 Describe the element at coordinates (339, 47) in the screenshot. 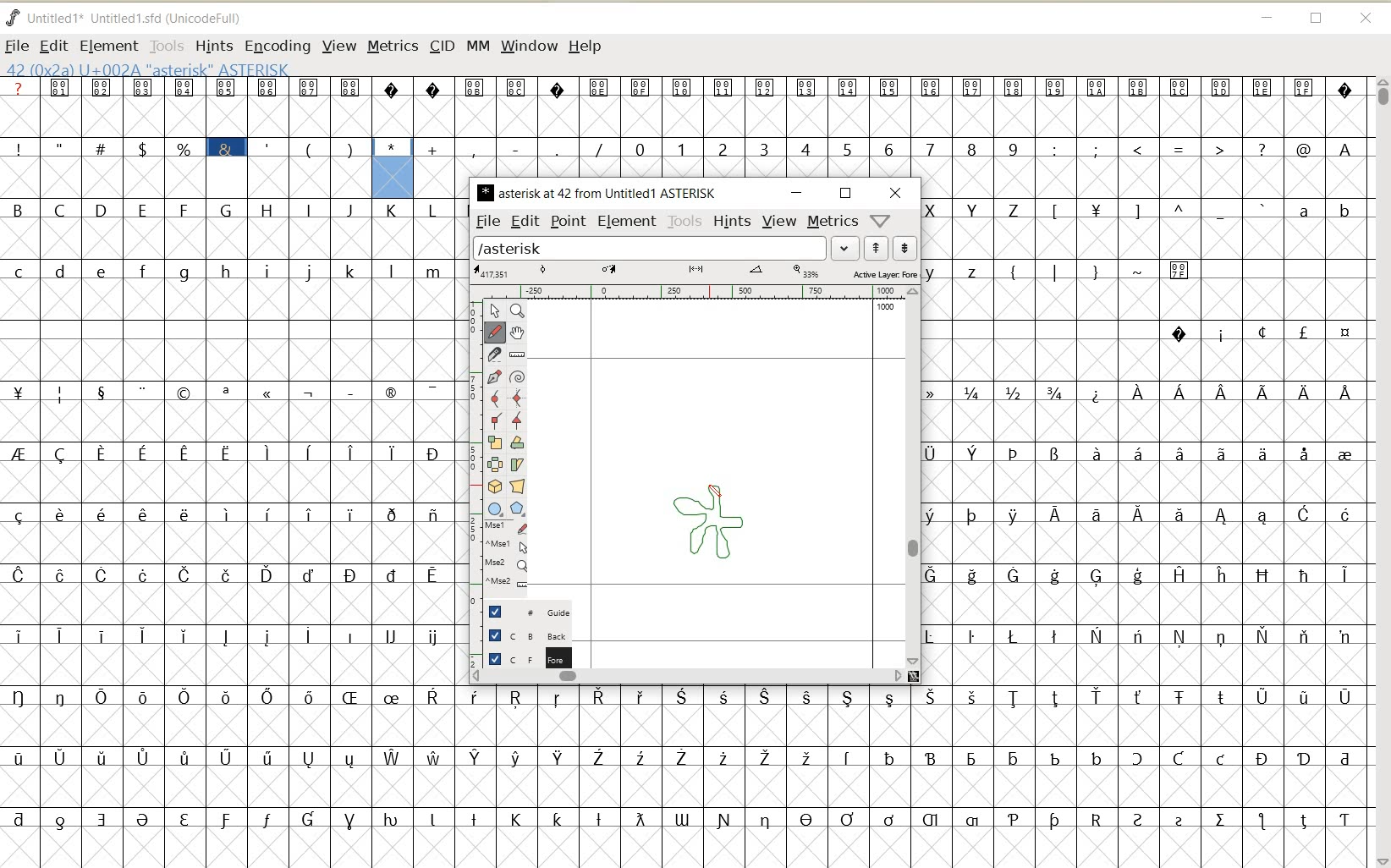

I see `VIEW` at that location.